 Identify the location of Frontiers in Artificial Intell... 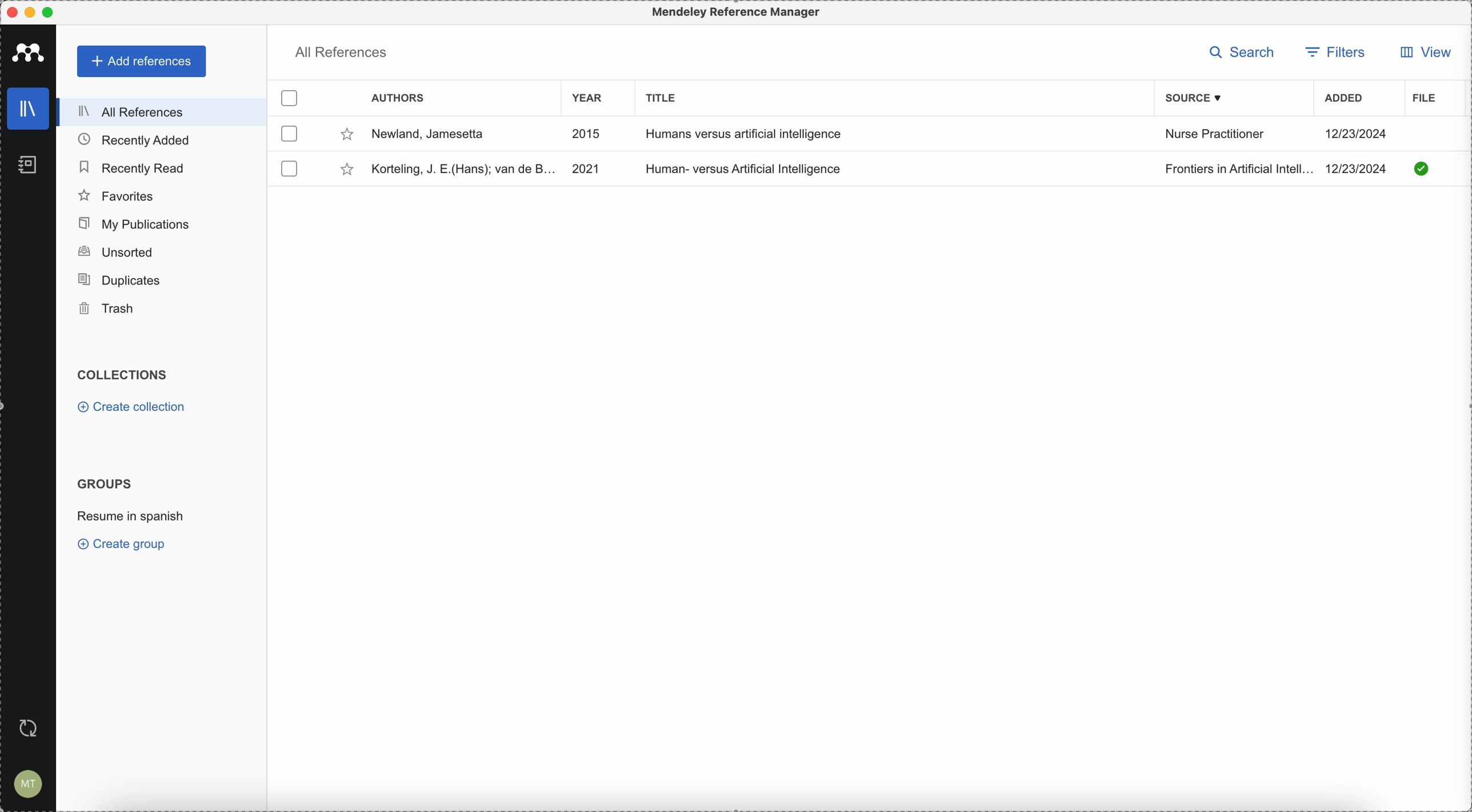
(1237, 168).